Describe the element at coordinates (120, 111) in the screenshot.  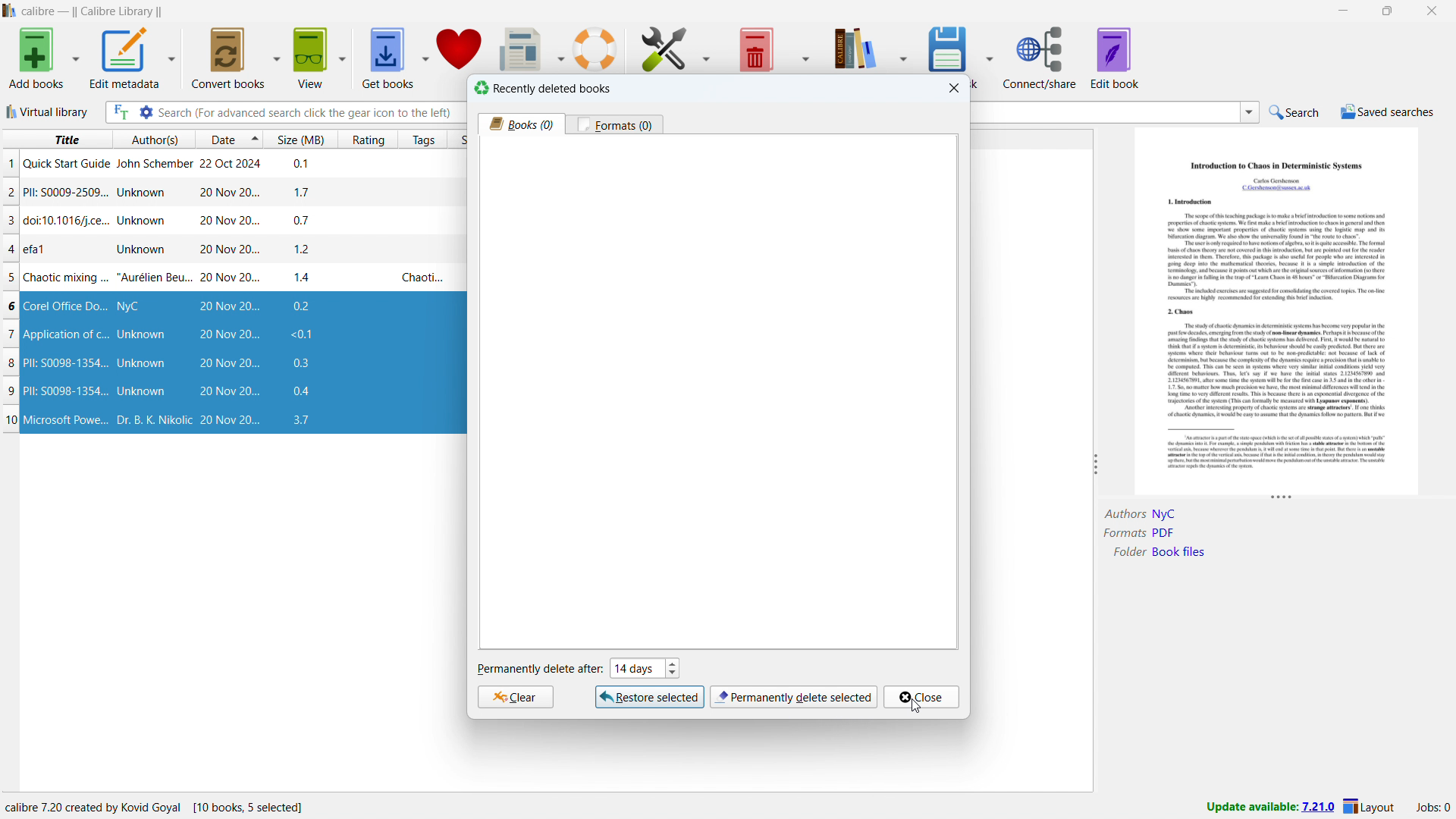
I see `full text search` at that location.